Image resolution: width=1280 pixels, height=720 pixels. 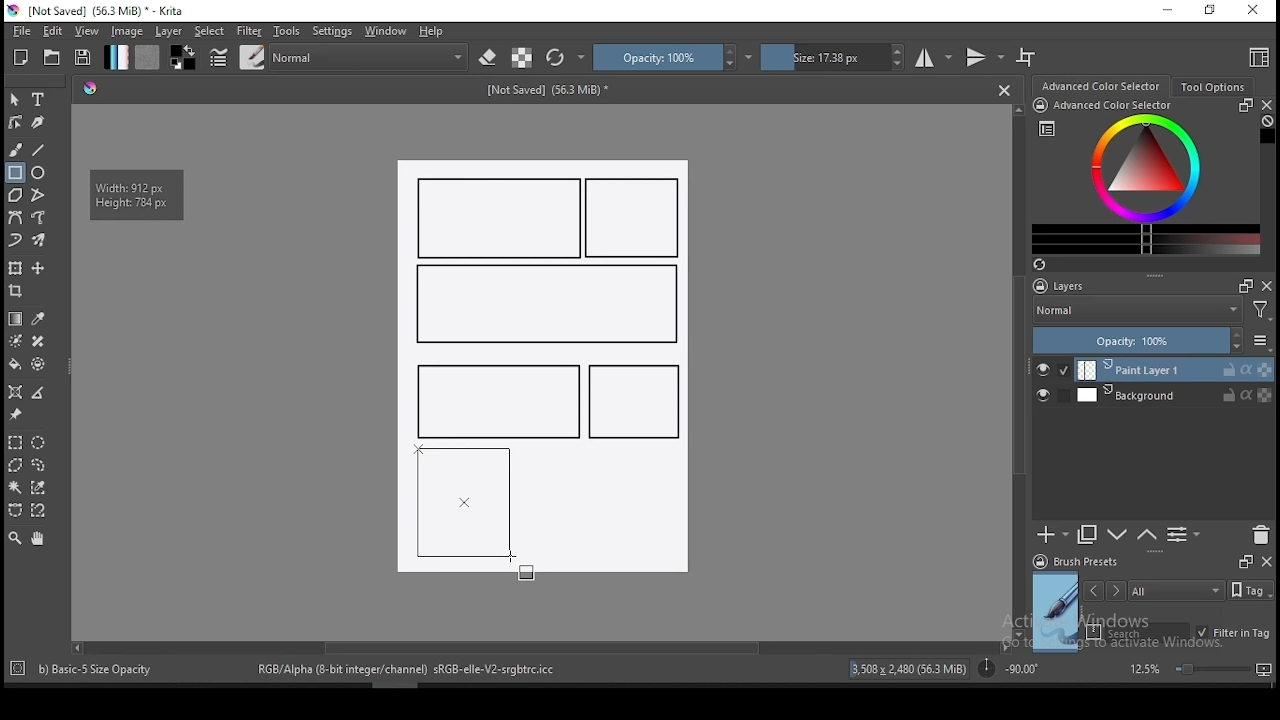 What do you see at coordinates (1150, 342) in the screenshot?
I see `opacity` at bounding box center [1150, 342].